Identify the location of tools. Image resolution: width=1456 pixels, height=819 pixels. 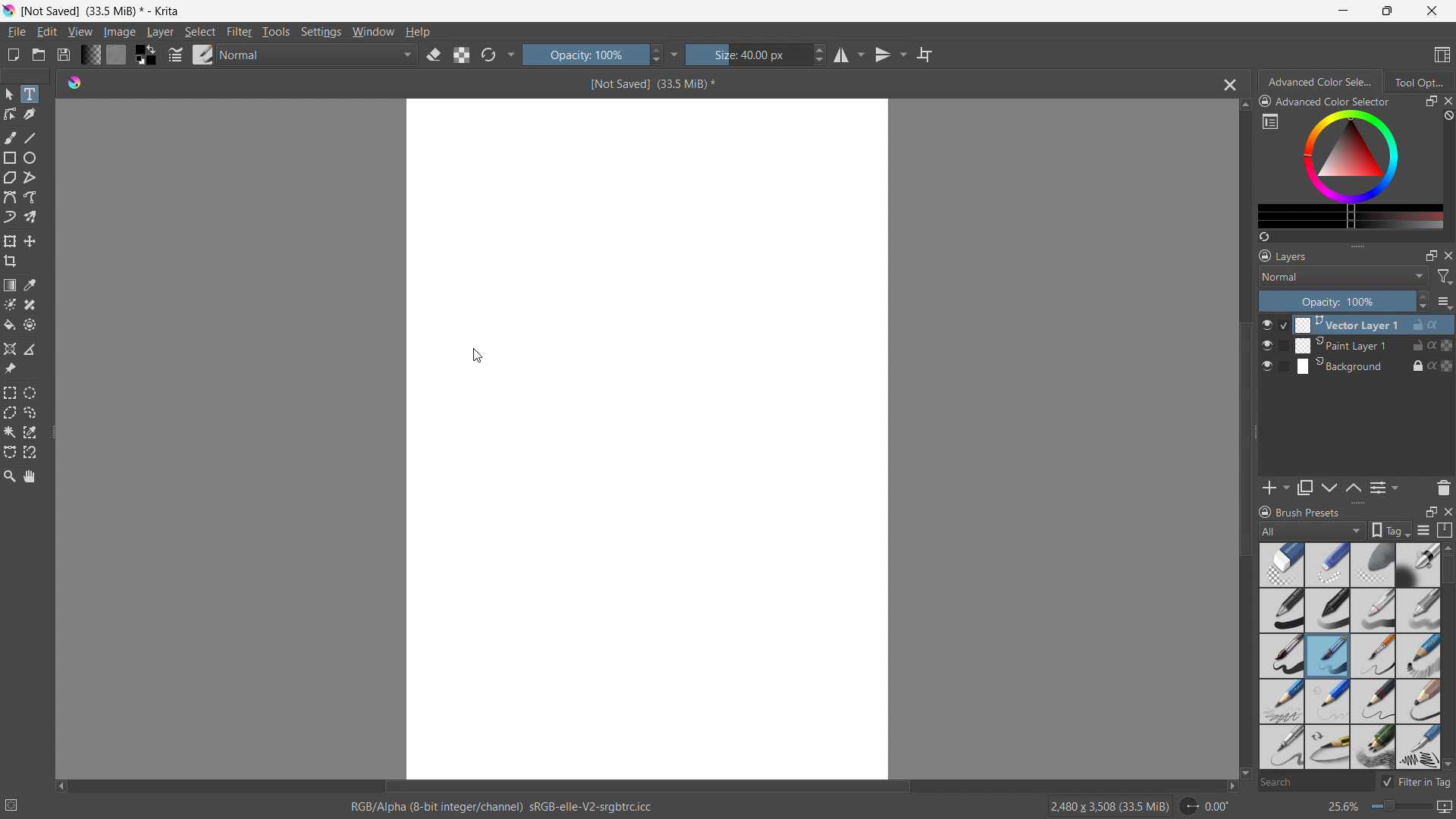
(277, 32).